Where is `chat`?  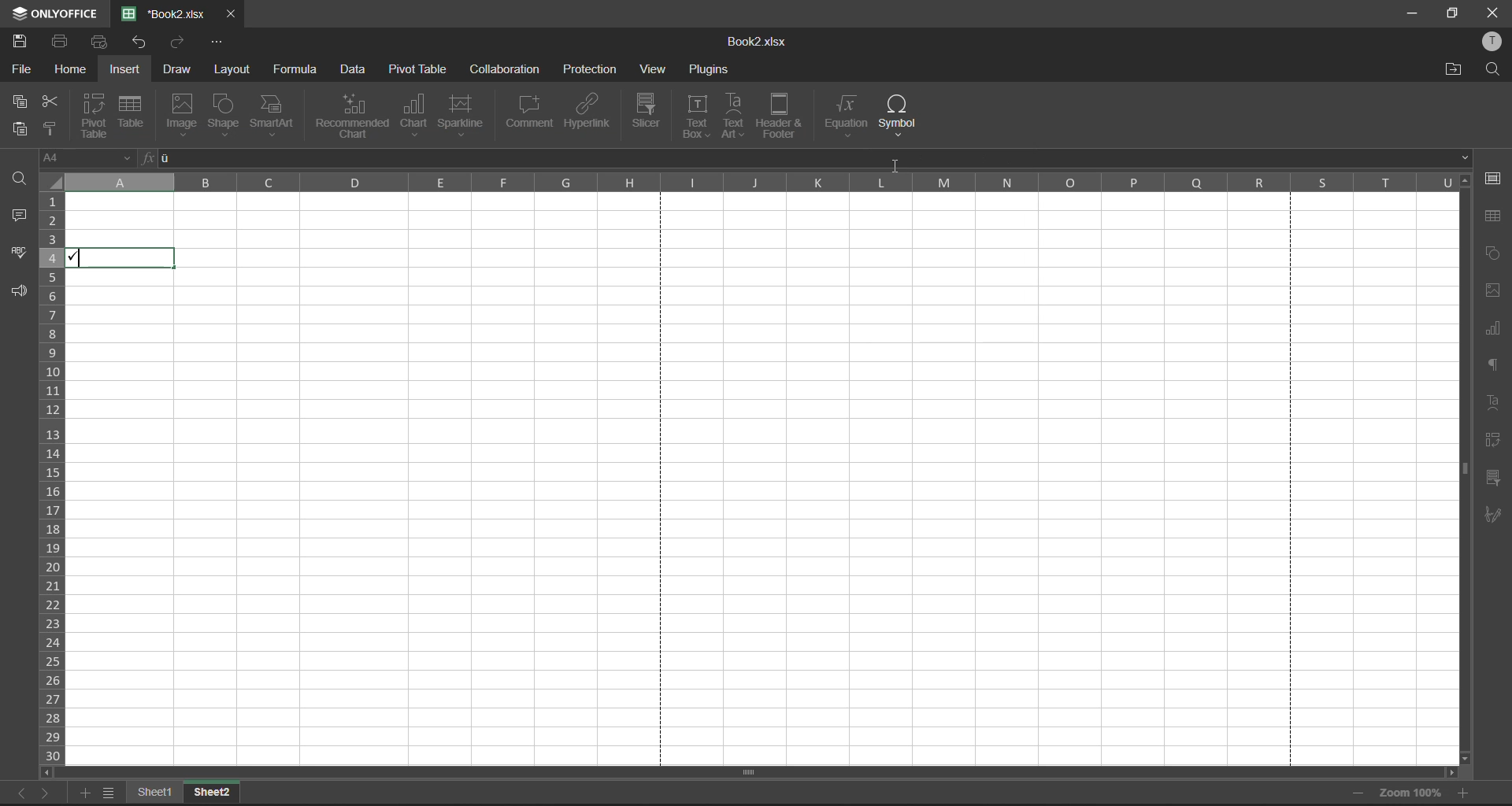
chat is located at coordinates (414, 115).